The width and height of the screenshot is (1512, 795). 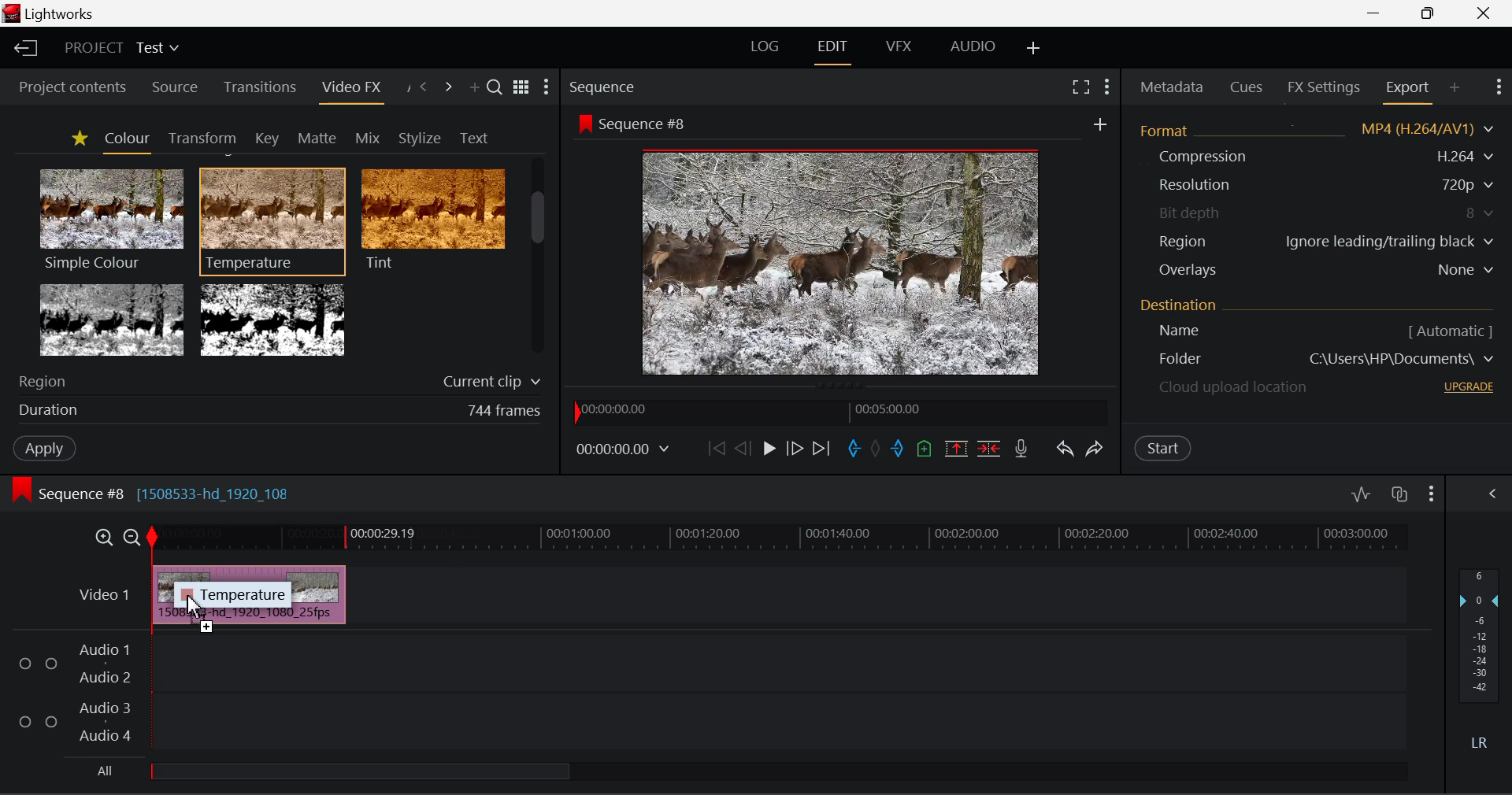 I want to click on Checkbox, so click(x=26, y=662).